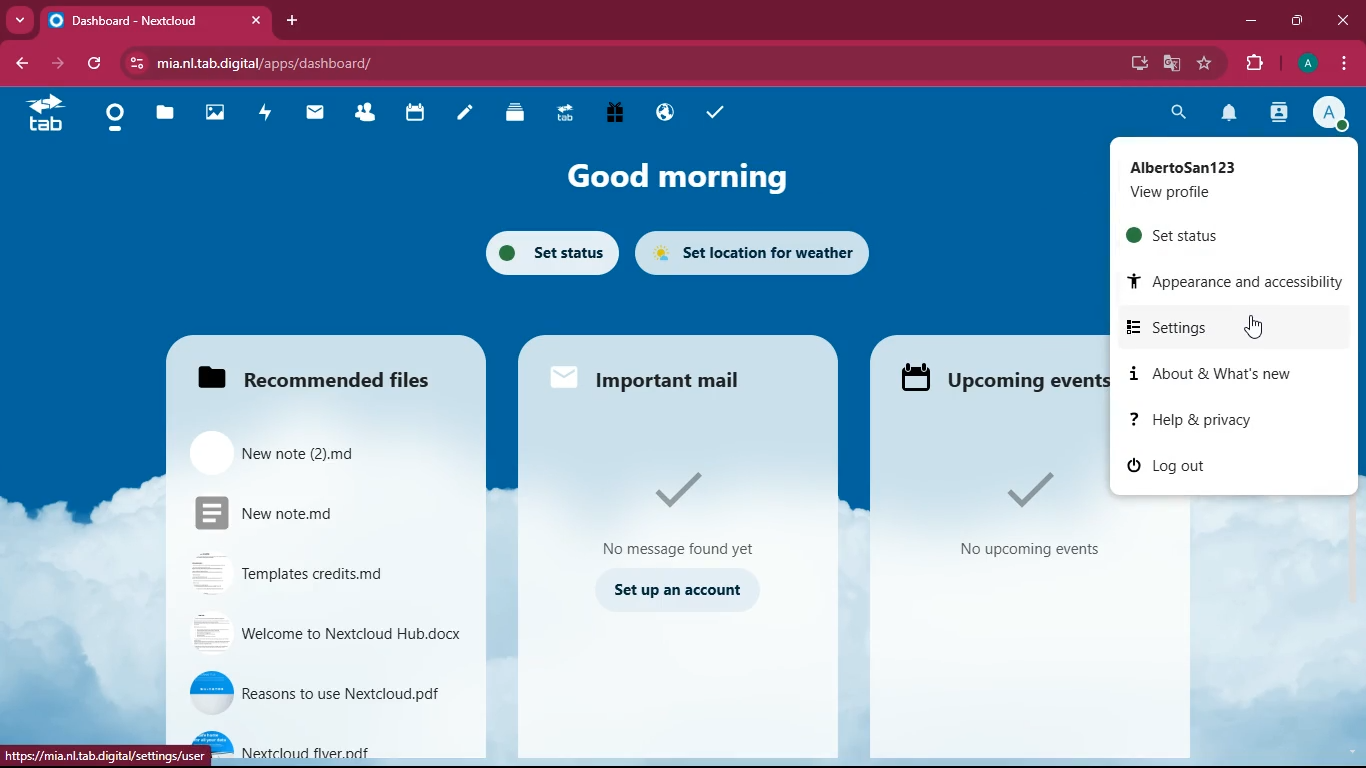  I want to click on notifications, so click(1226, 114).